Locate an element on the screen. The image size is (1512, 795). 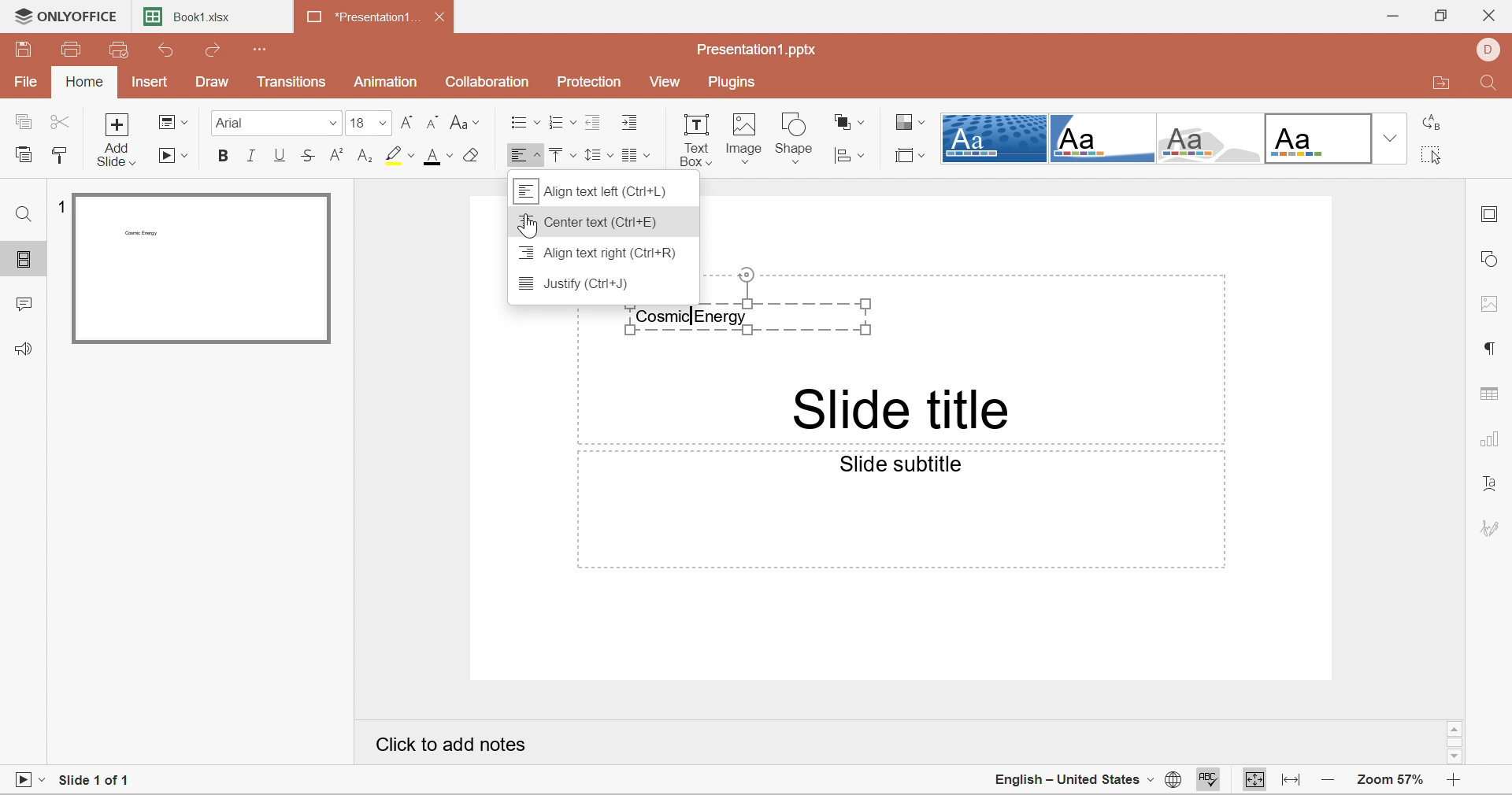
Shape settings is located at coordinates (1495, 261).